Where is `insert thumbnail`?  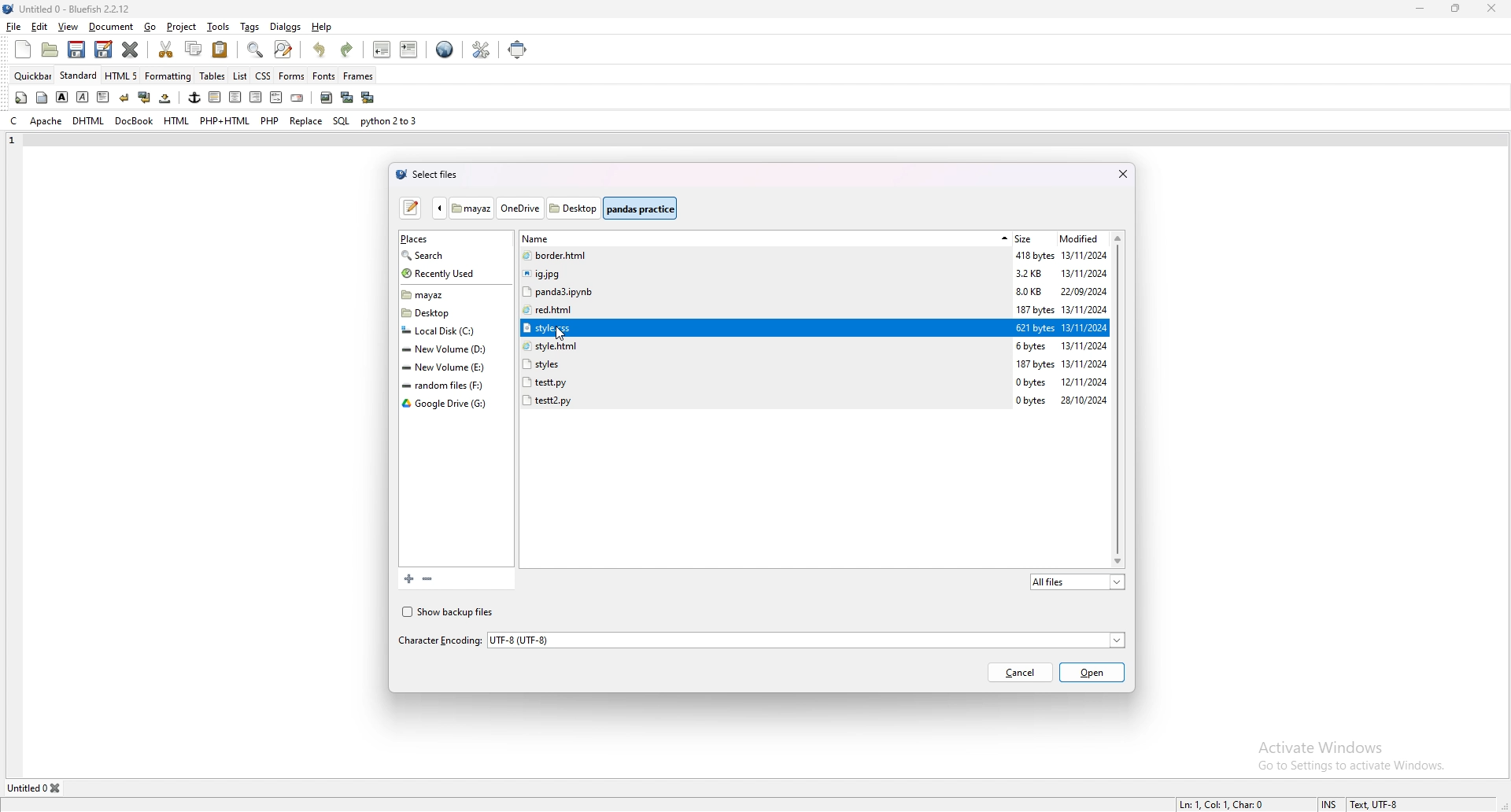
insert thumbnail is located at coordinates (347, 98).